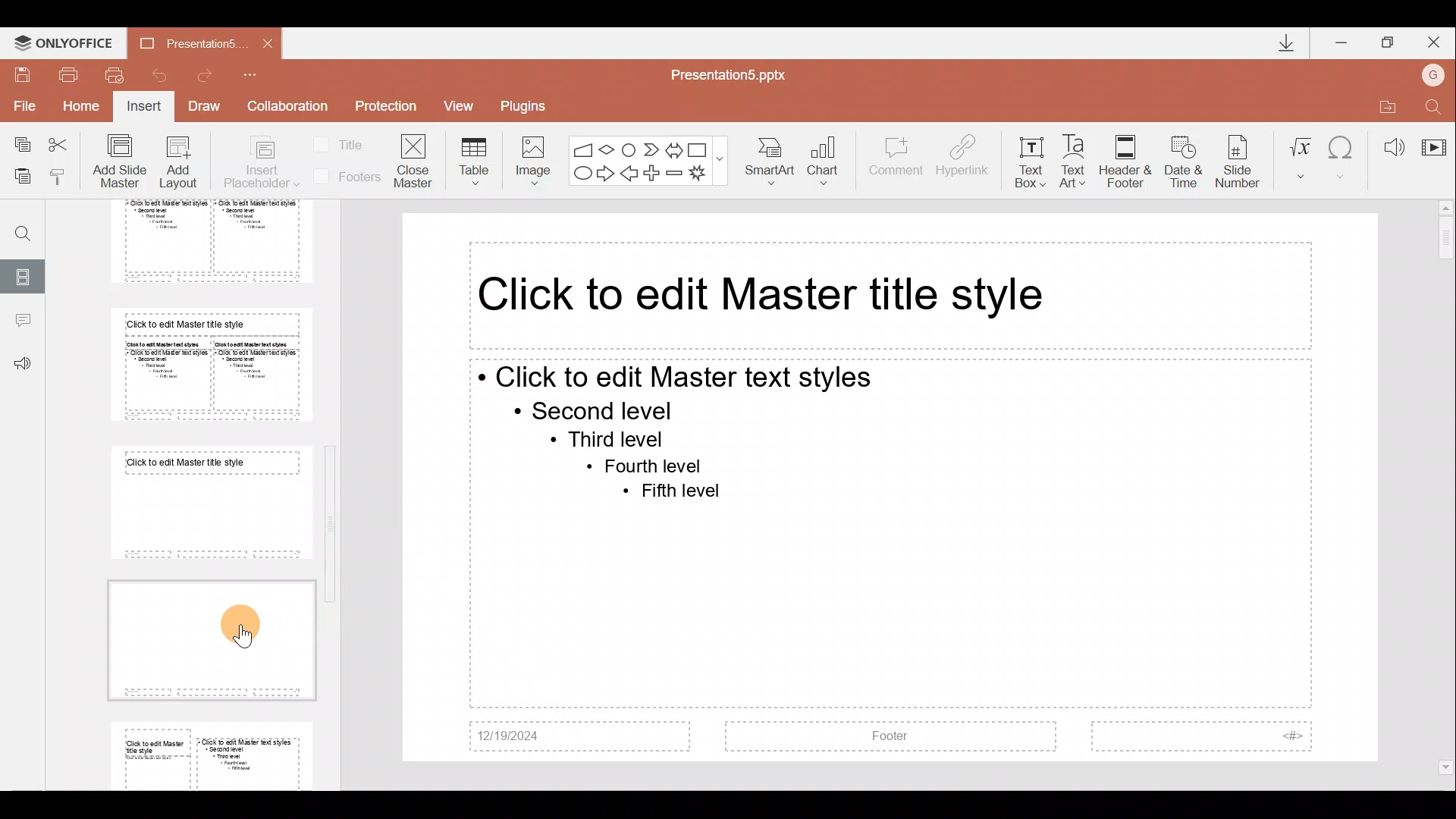 The height and width of the screenshot is (819, 1456). I want to click on Scroll bar, so click(1446, 488).